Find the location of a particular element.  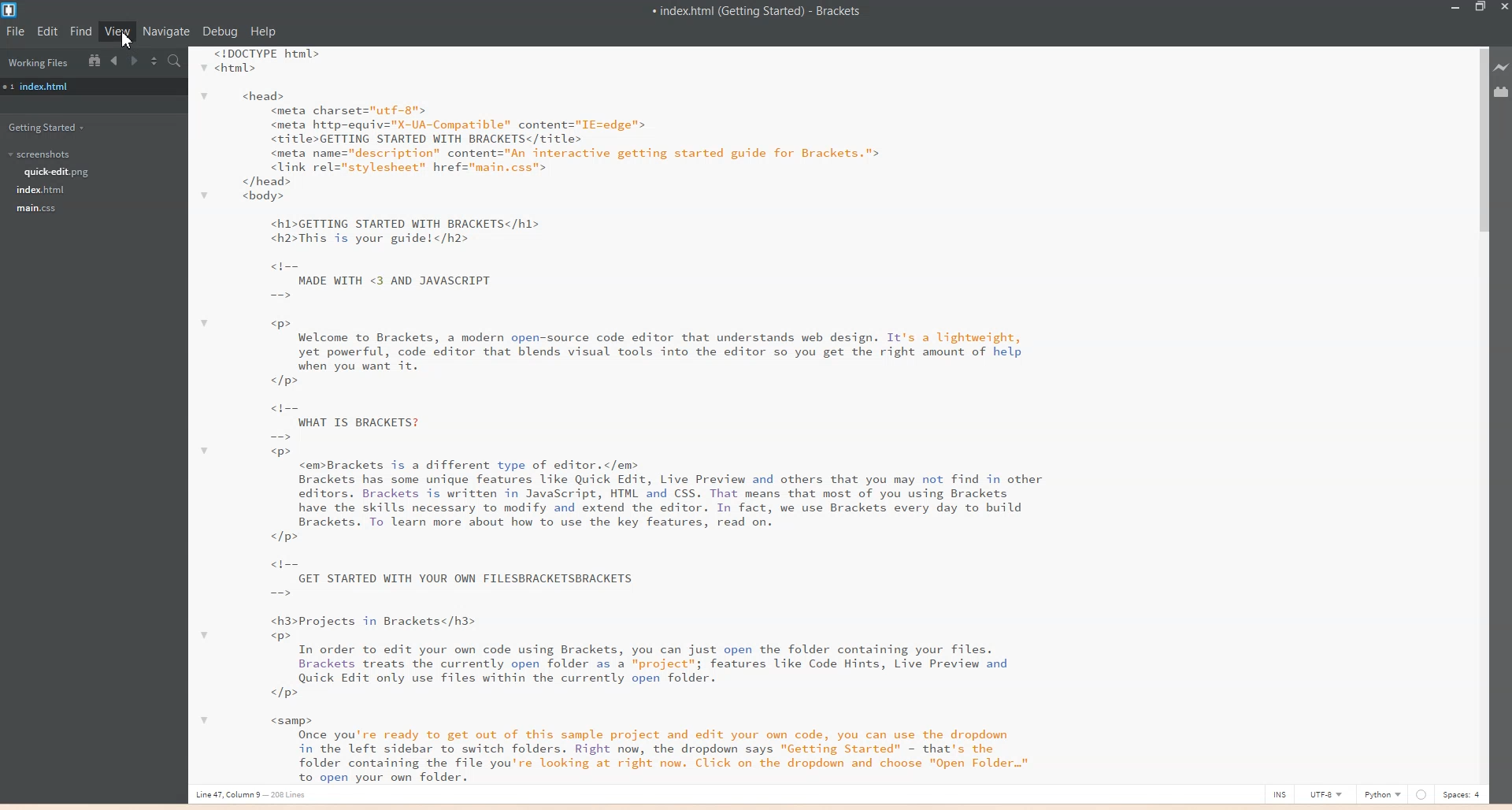

Vertical Scroll bar is located at coordinates (1482, 411).